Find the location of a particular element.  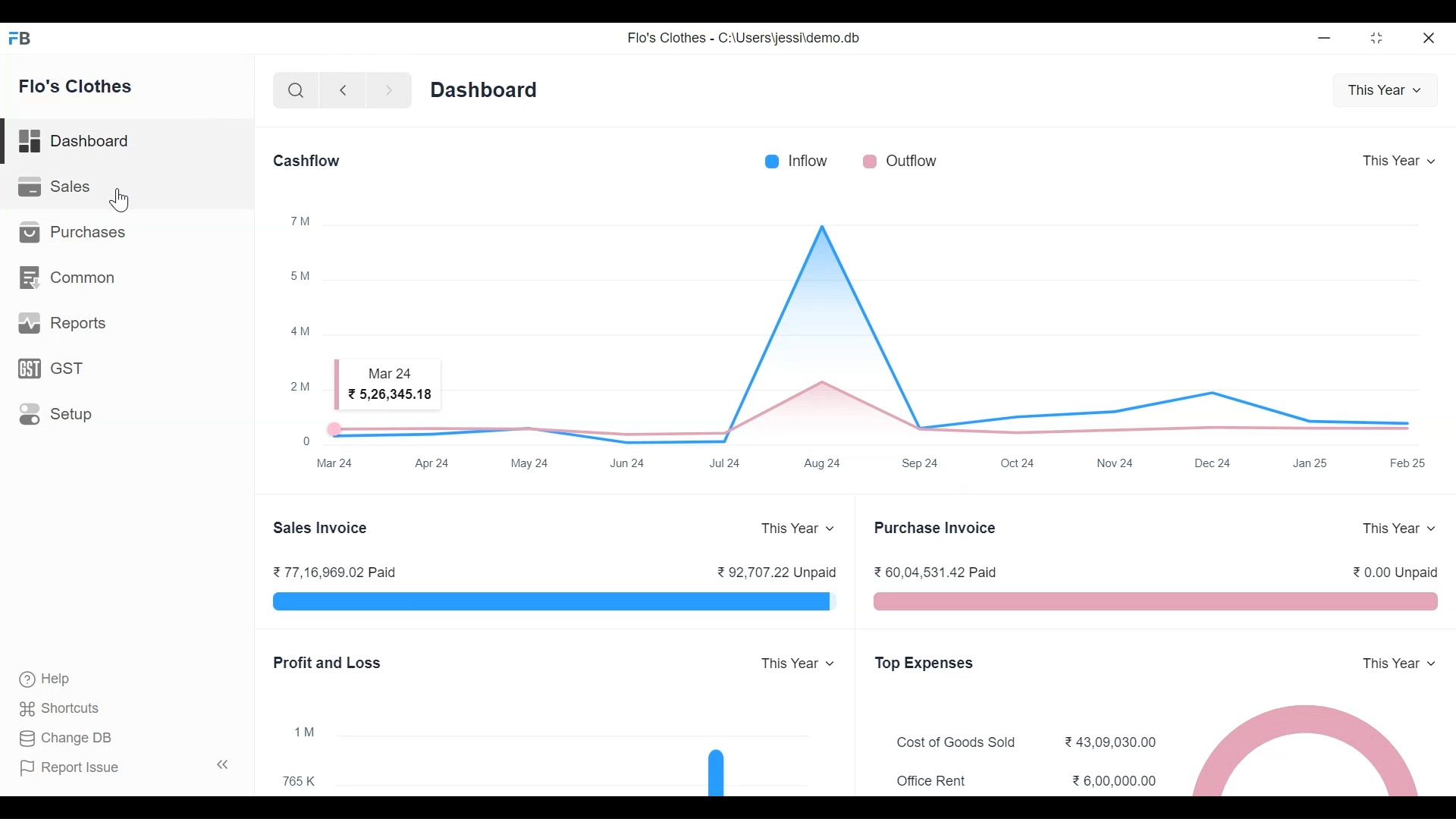

Frappe Books Desktop Icon is located at coordinates (20, 38).